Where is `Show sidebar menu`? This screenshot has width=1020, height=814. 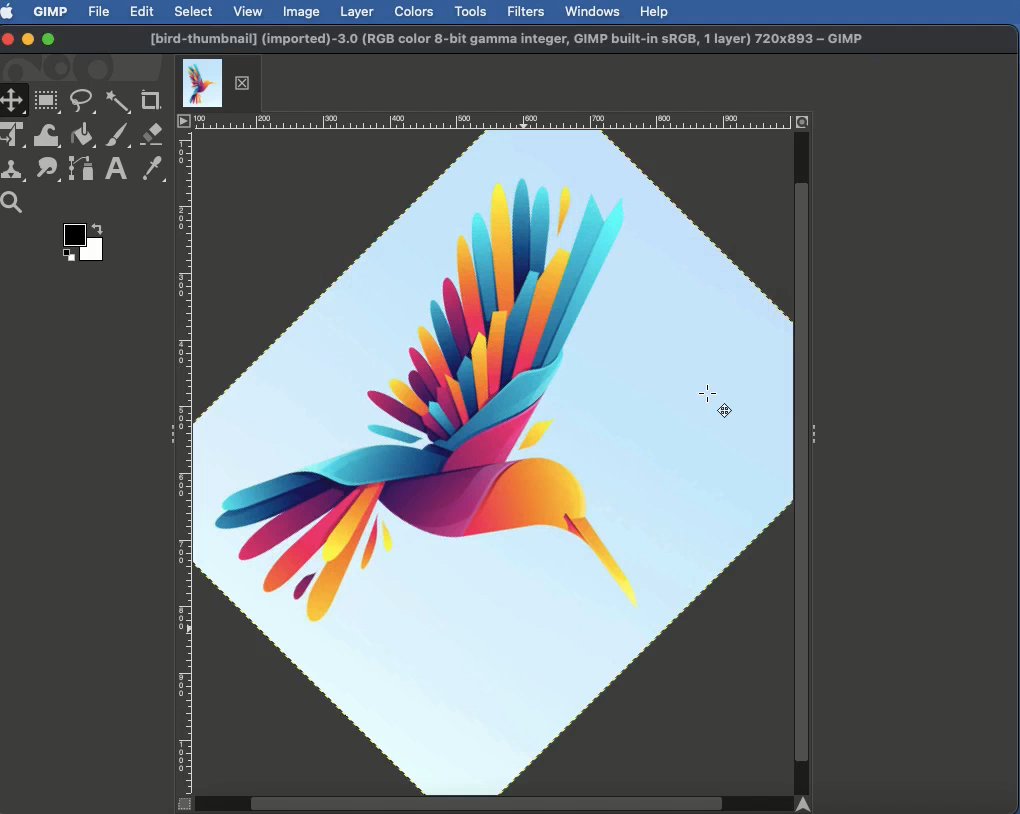
Show sidebar menu is located at coordinates (817, 430).